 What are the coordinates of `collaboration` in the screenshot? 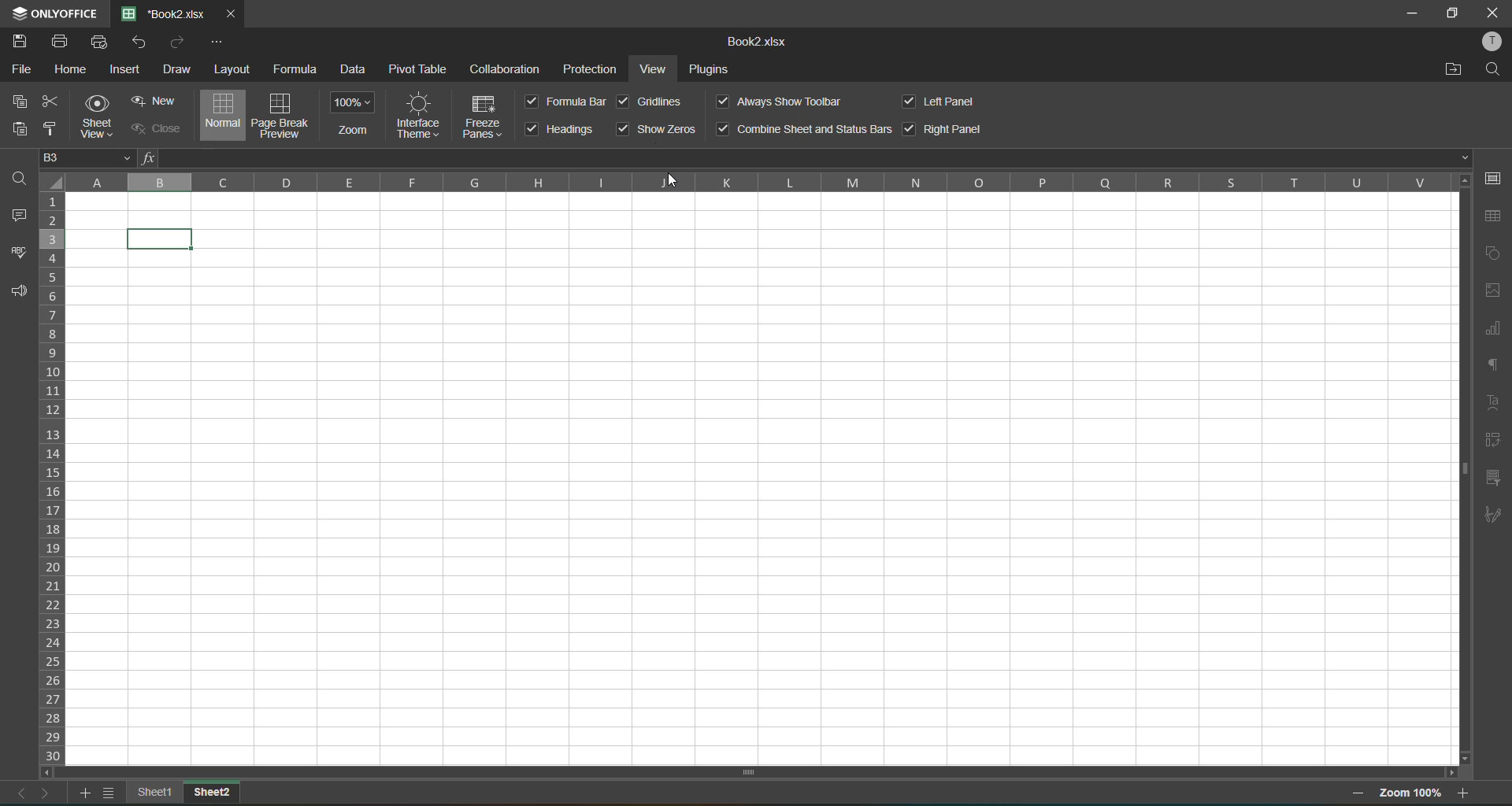 It's located at (504, 68).